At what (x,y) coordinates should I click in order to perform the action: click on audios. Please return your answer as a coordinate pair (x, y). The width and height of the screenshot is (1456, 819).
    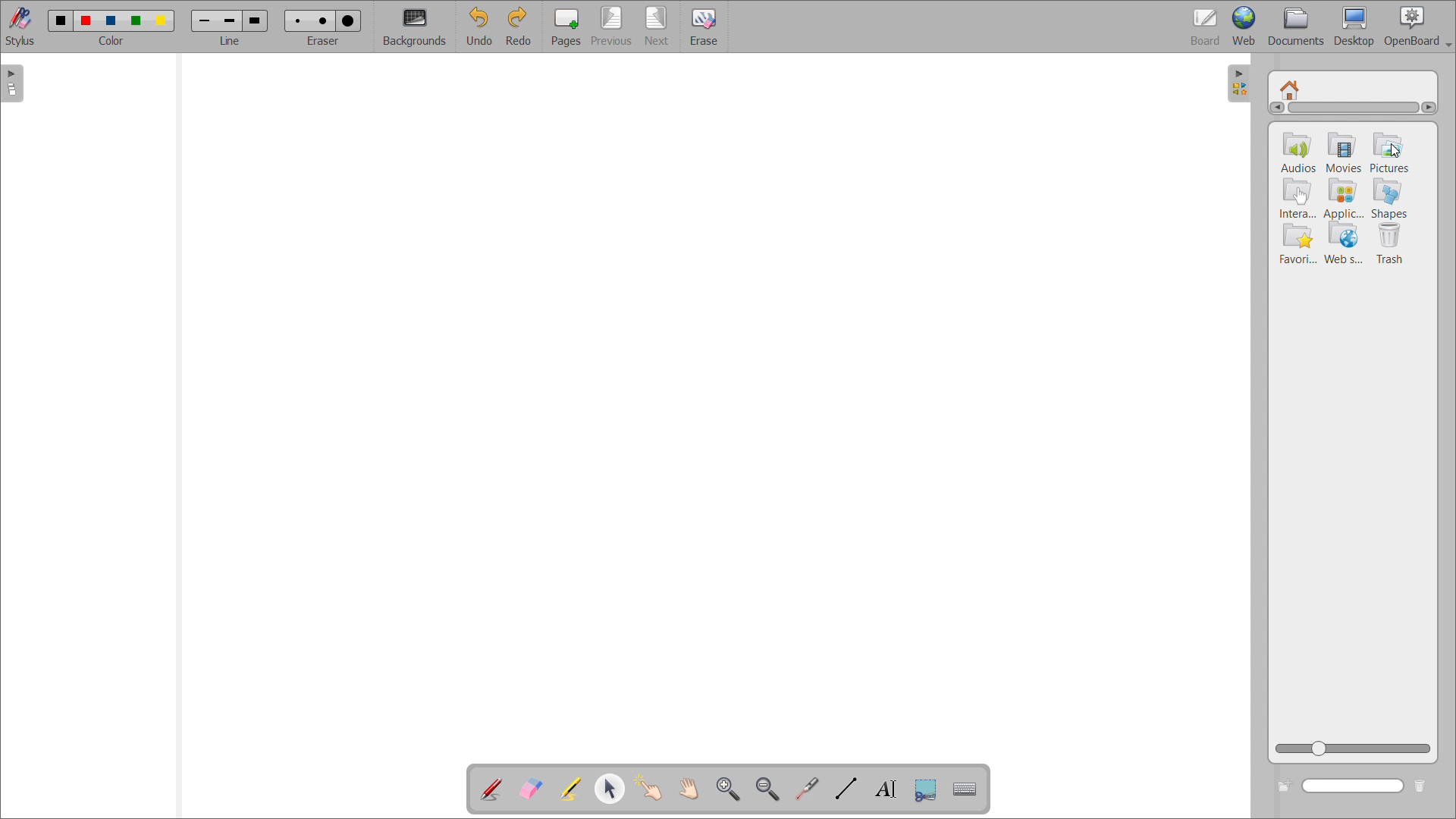
    Looking at the image, I should click on (1299, 152).